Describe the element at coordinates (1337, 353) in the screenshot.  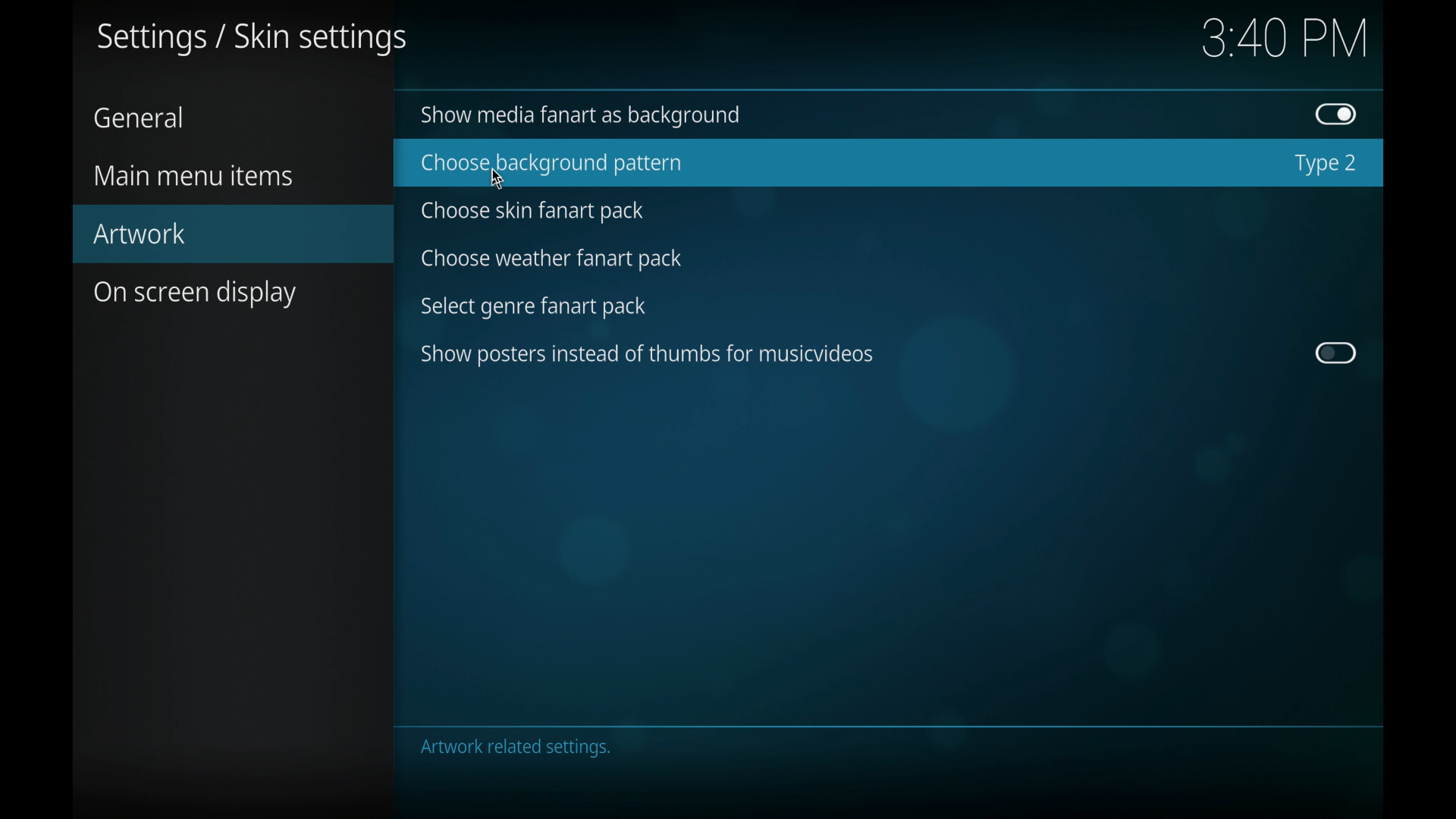
I see `toggle button` at that location.